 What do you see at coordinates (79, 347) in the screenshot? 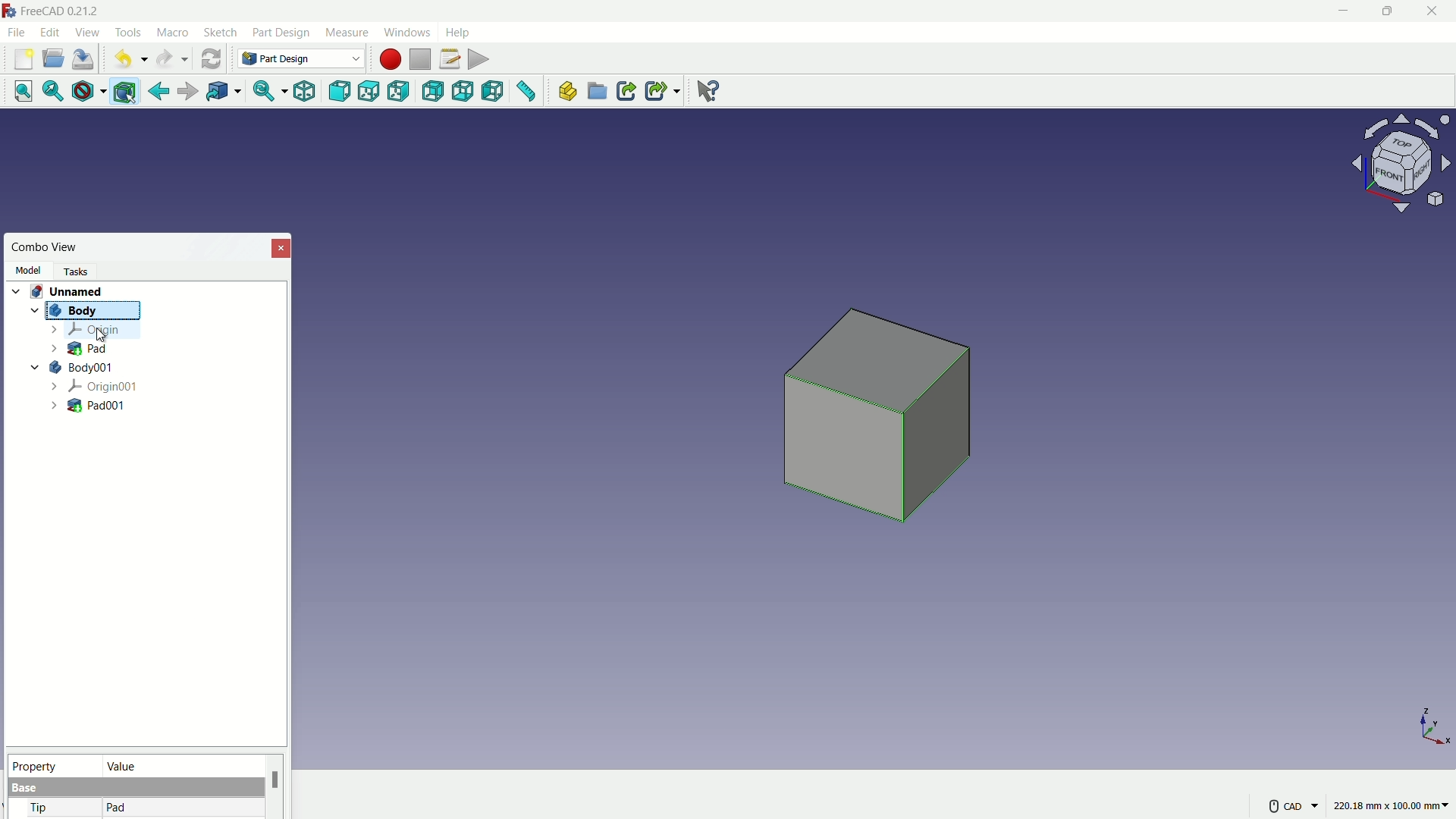
I see `Pad` at bounding box center [79, 347].